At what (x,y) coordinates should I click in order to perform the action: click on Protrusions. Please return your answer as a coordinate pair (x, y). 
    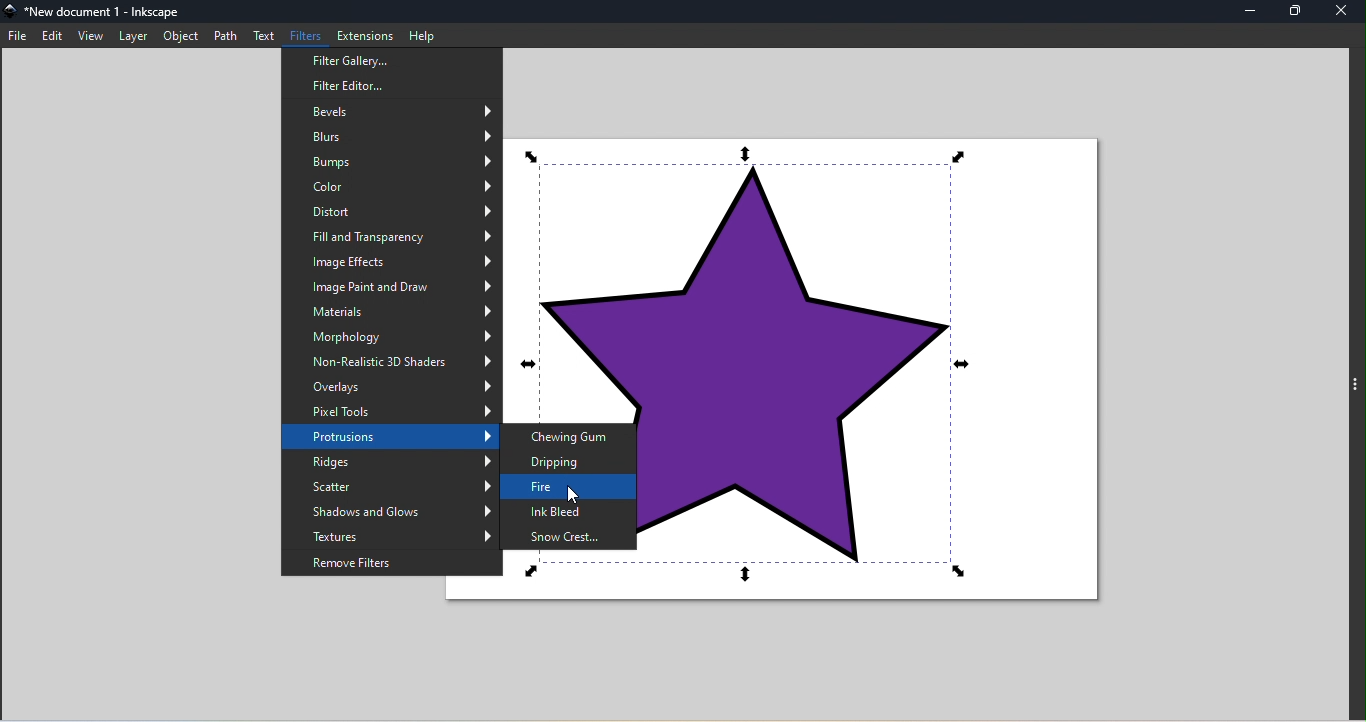
    Looking at the image, I should click on (387, 438).